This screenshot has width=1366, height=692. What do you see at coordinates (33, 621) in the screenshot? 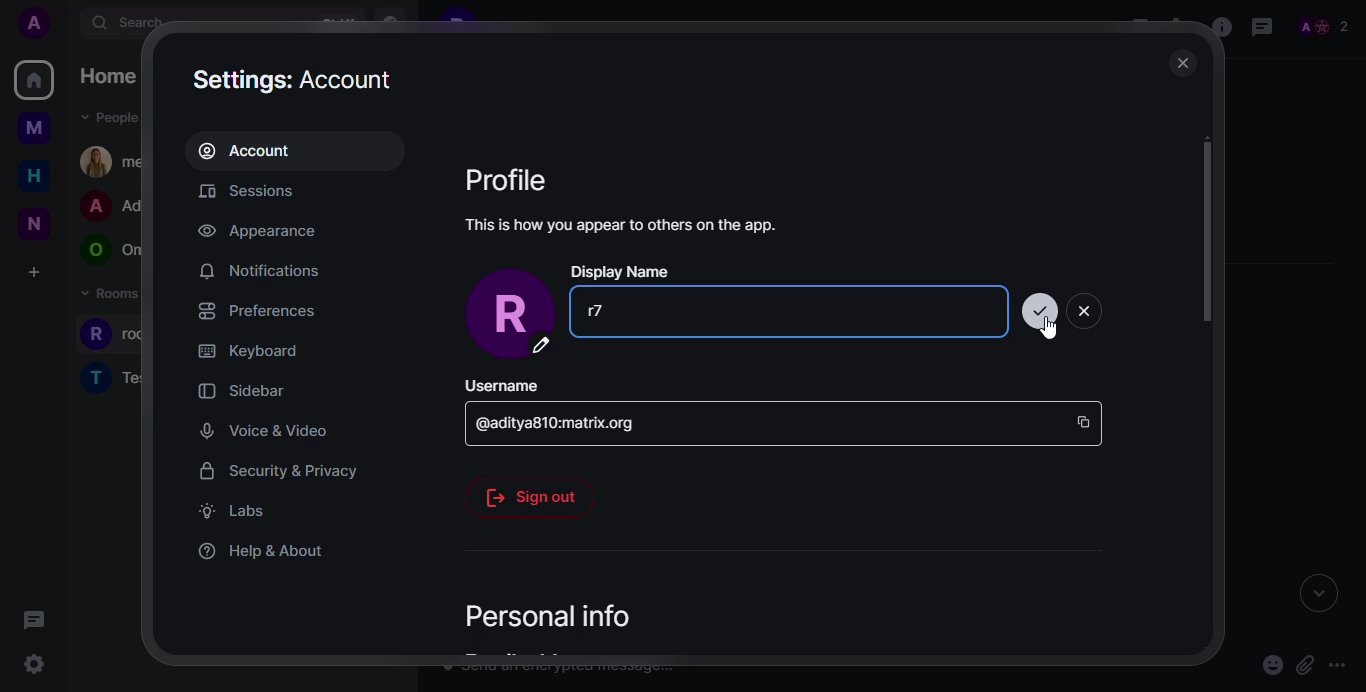
I see `threads` at bounding box center [33, 621].